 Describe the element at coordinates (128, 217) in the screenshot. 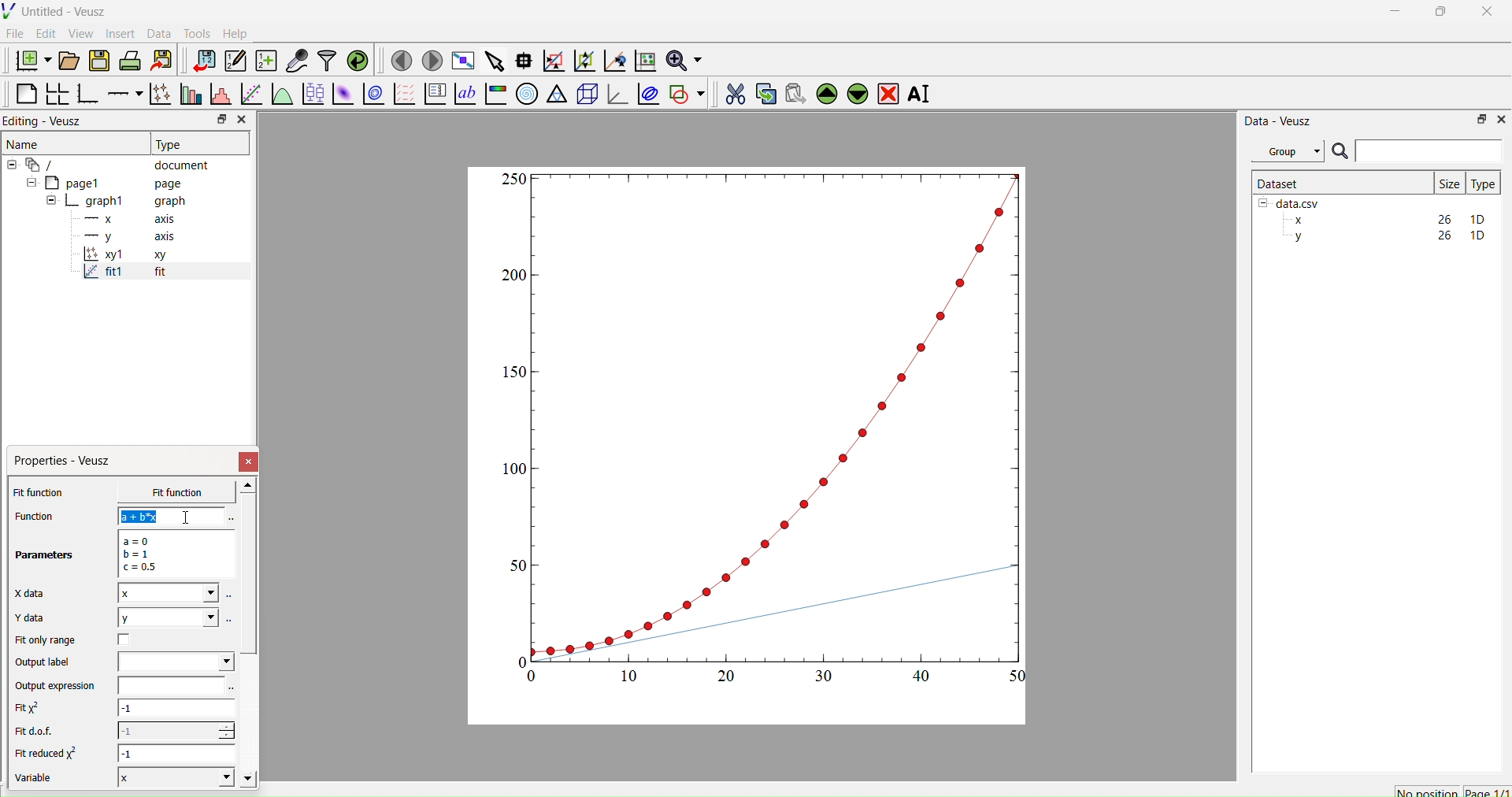

I see `x axis` at that location.